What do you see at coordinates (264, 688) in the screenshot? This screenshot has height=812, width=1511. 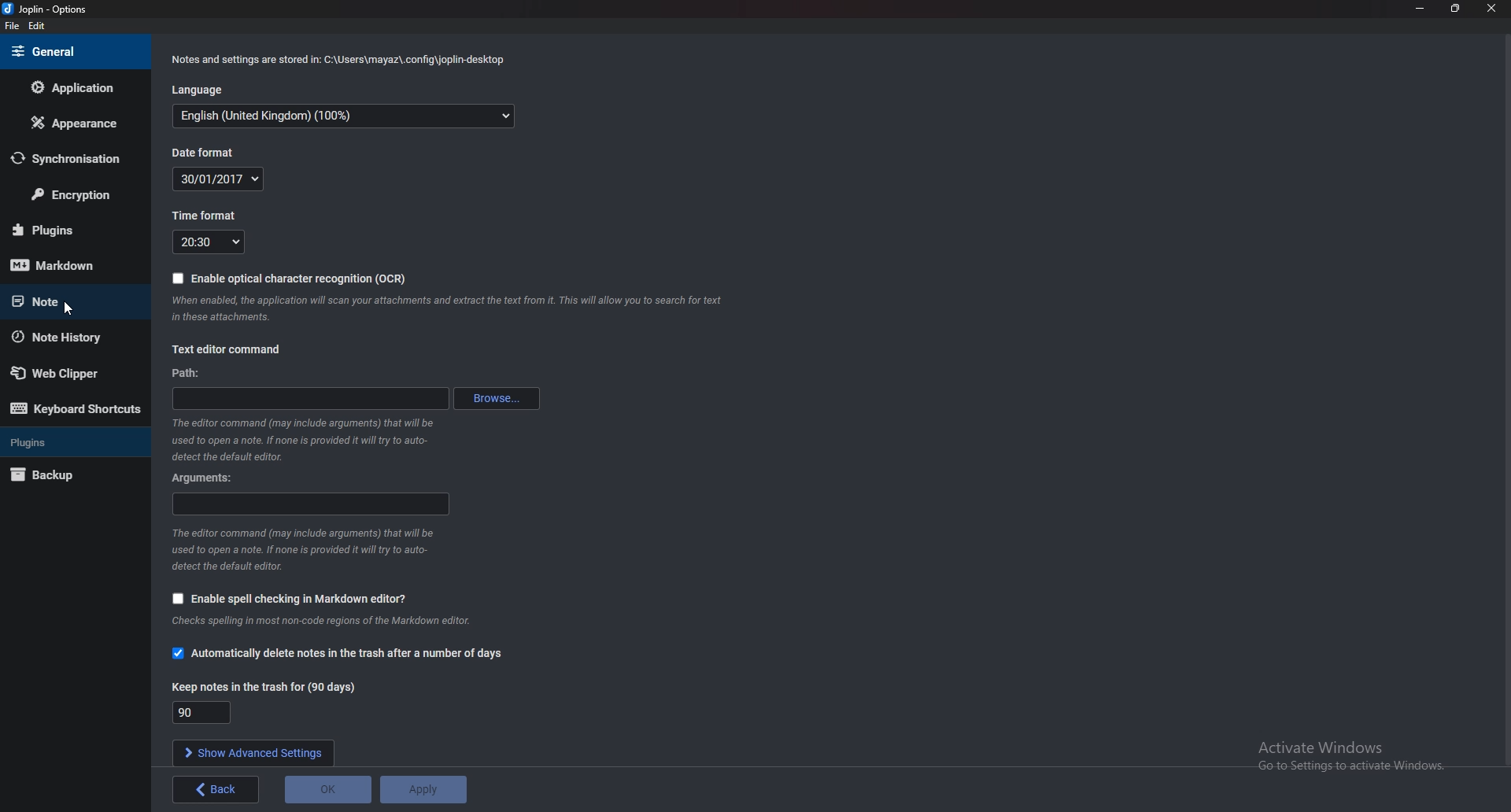 I see `Keep notes in the trash for` at bounding box center [264, 688].